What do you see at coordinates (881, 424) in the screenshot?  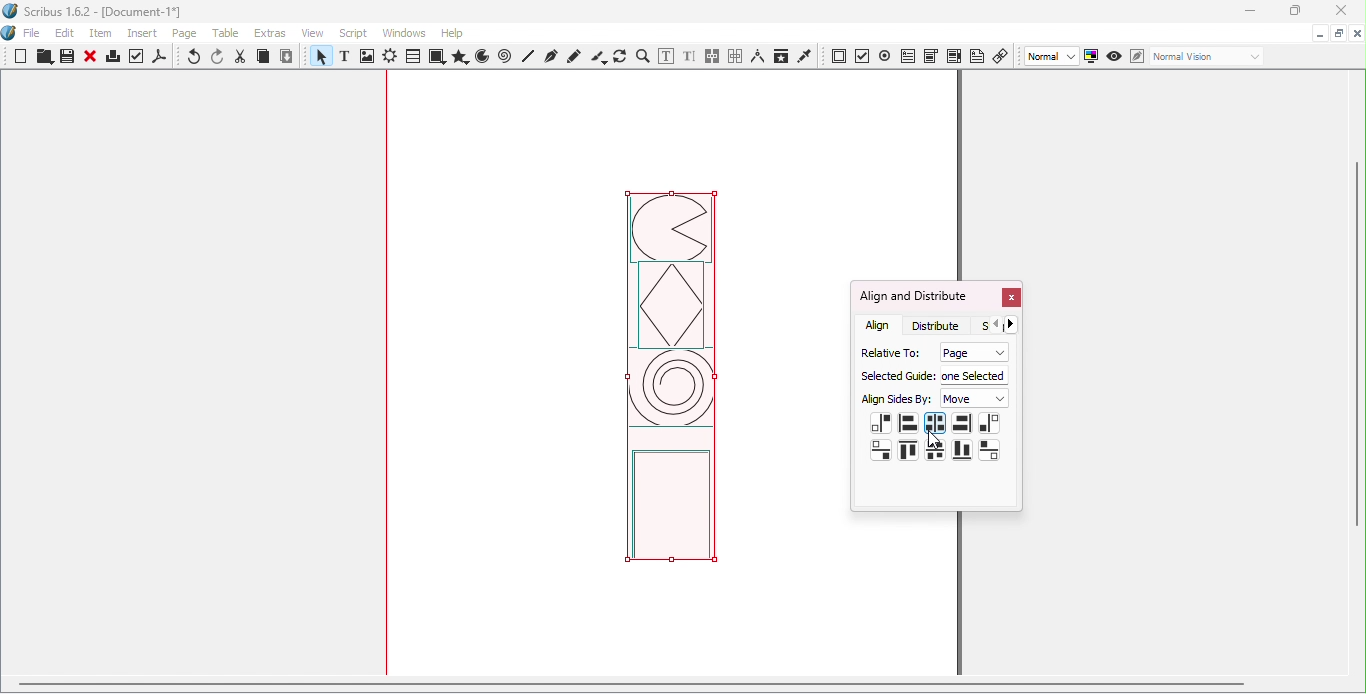 I see `Align right sides of the items to left sides of anchor` at bounding box center [881, 424].